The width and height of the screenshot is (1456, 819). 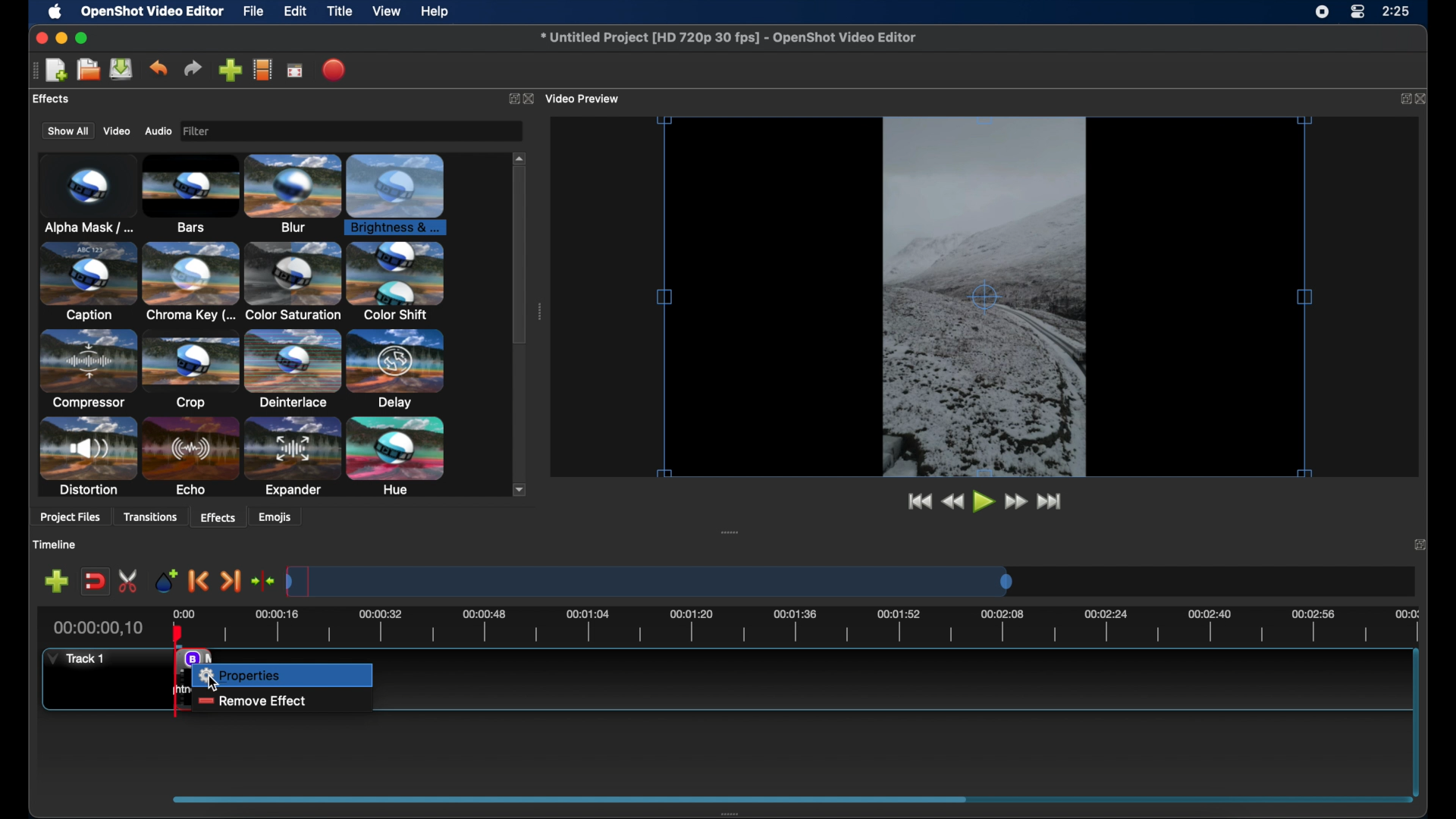 What do you see at coordinates (191, 192) in the screenshot?
I see `bars` at bounding box center [191, 192].